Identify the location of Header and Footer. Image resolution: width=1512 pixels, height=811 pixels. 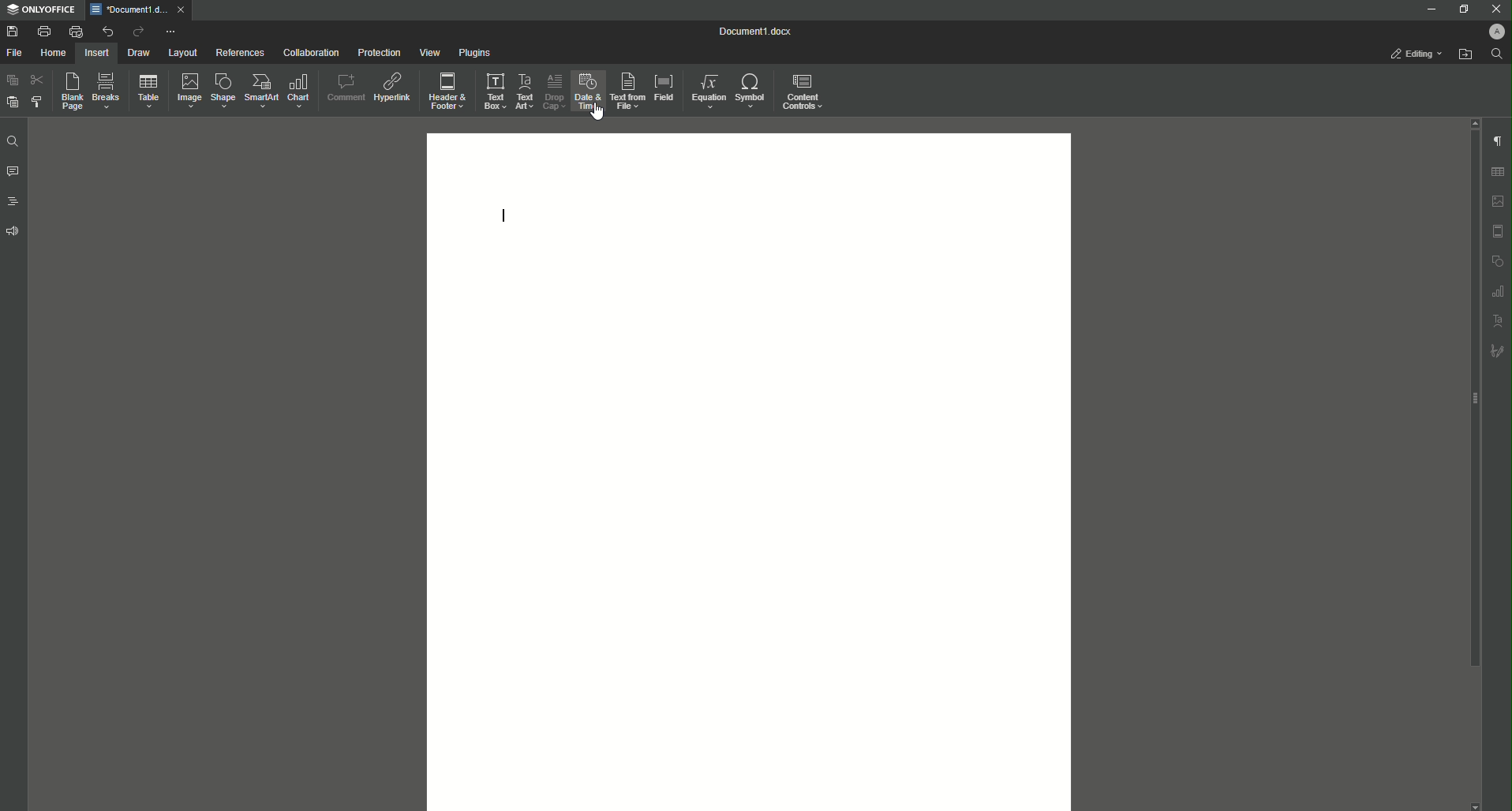
(447, 88).